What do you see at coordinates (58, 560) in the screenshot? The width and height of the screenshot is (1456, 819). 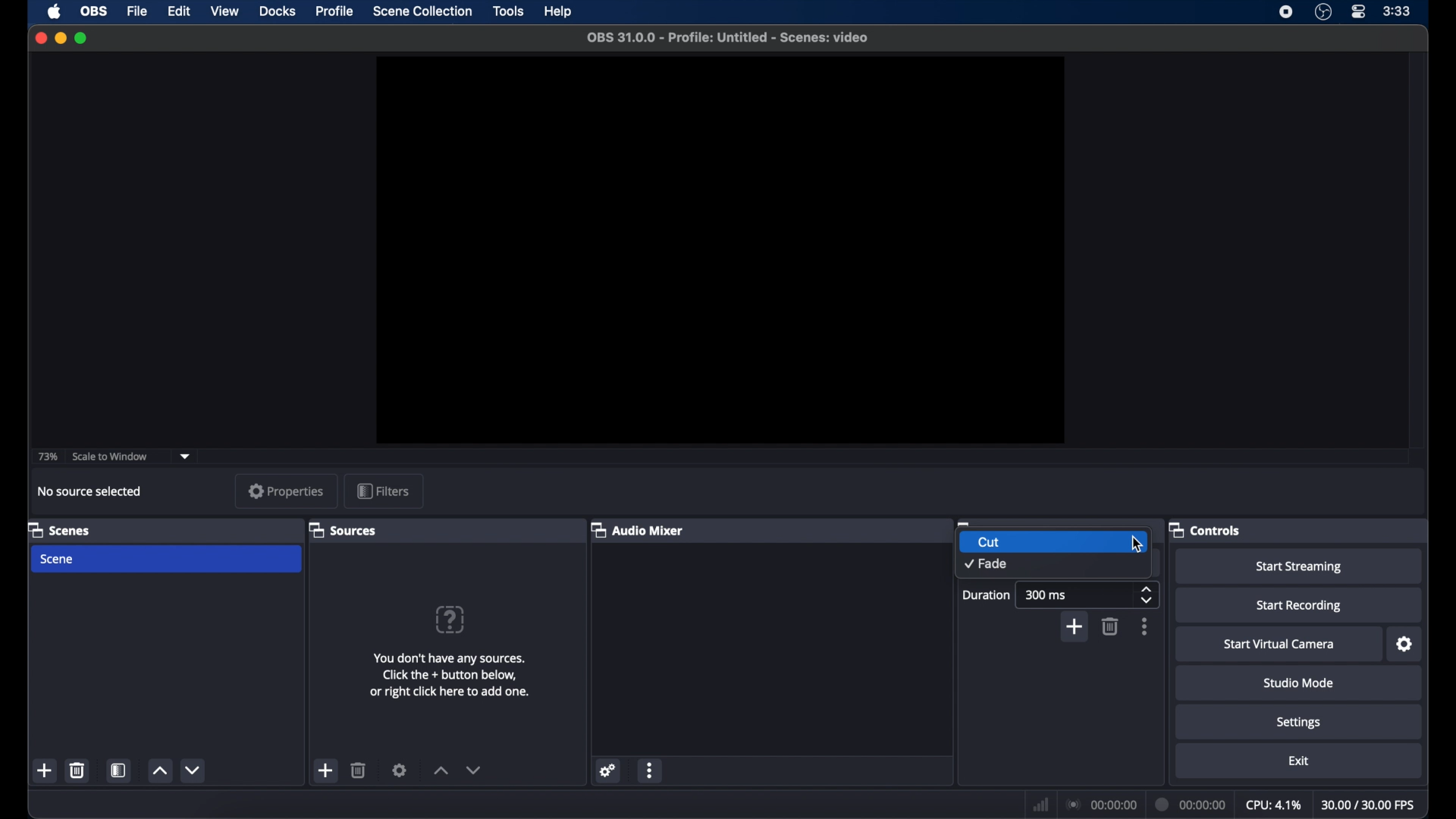 I see `scene` at bounding box center [58, 560].